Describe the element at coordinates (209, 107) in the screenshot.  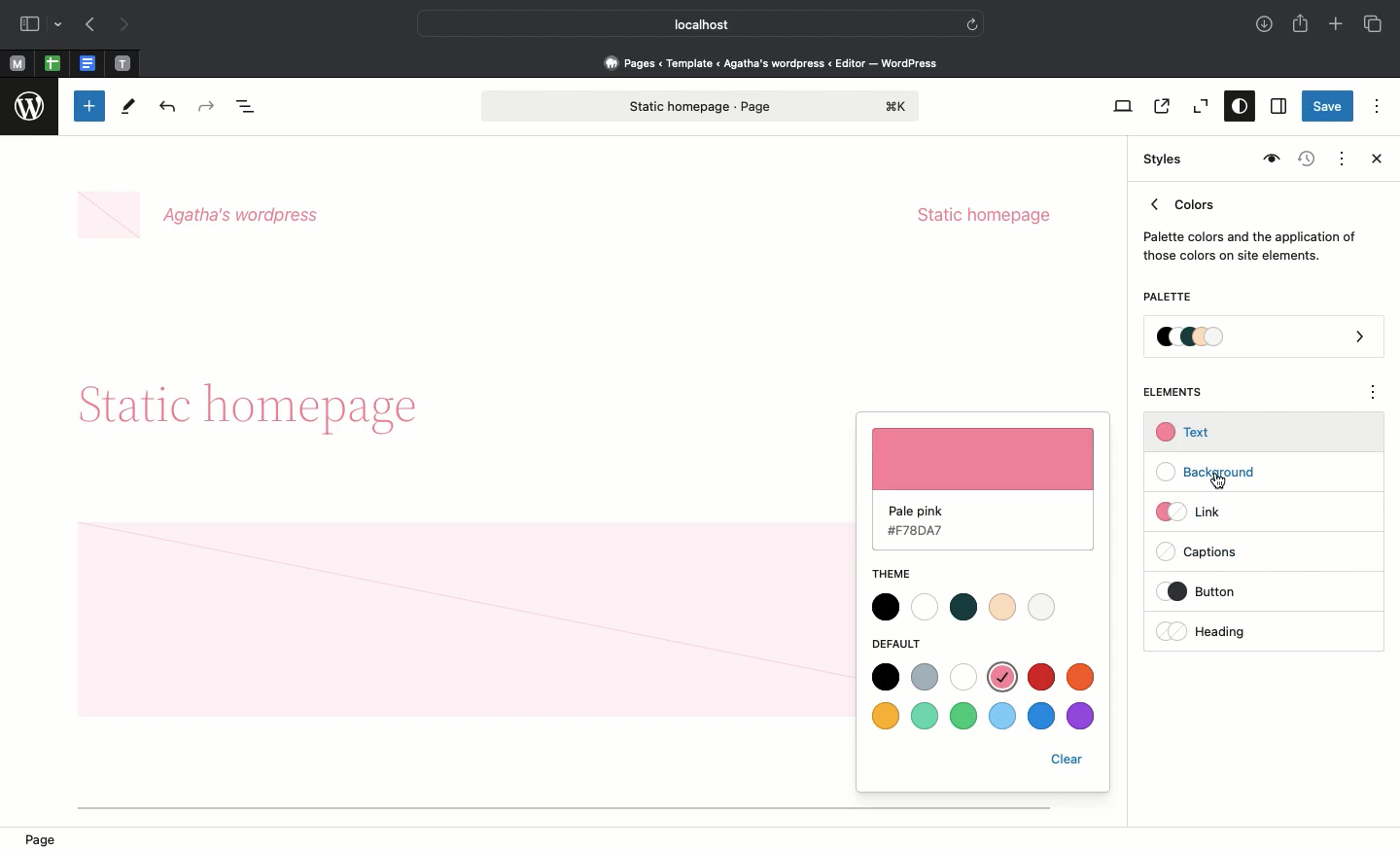
I see `Redo` at that location.